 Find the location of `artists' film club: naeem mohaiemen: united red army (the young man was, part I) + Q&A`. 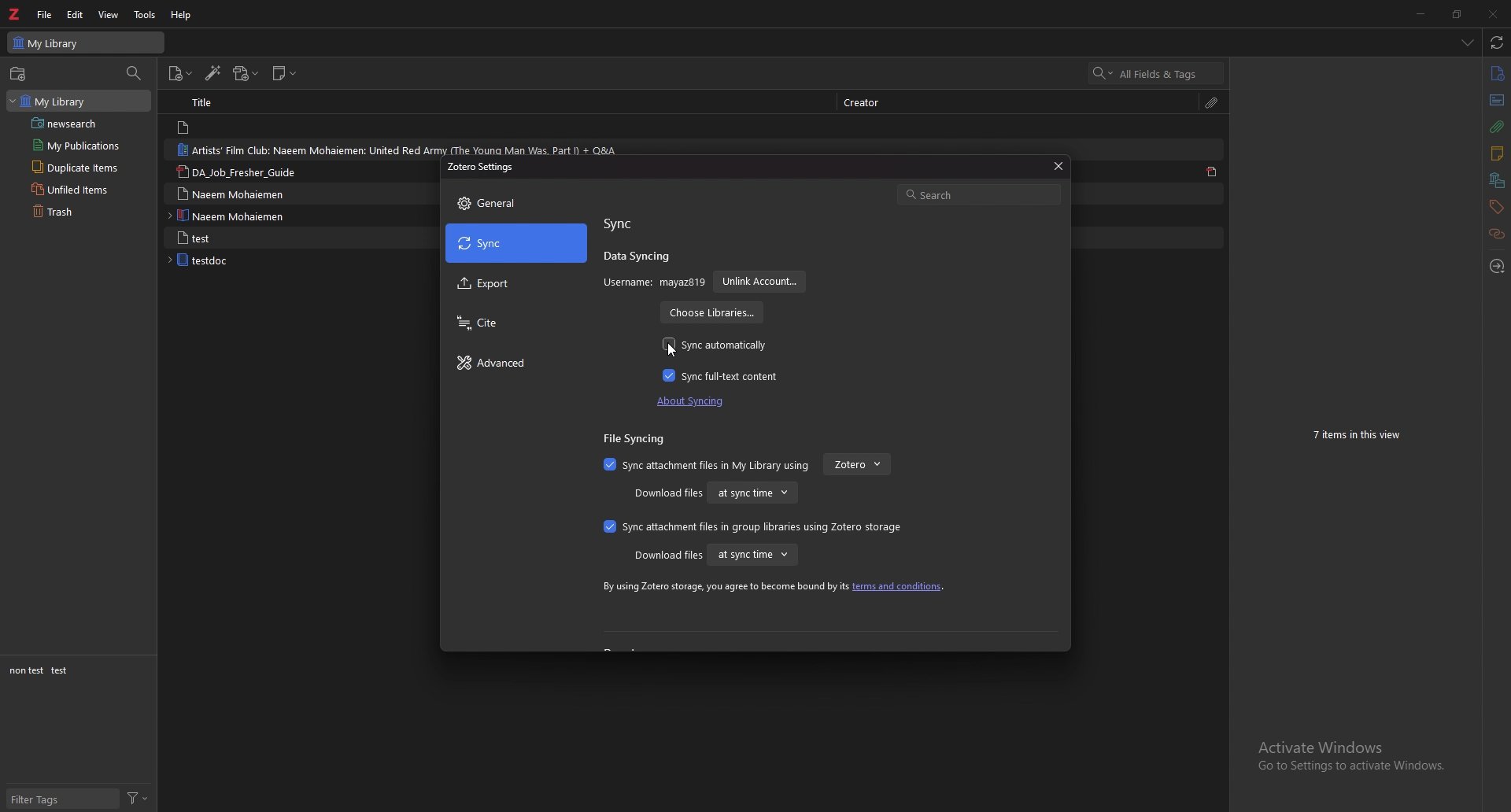

artists' film club: naeem mohaiemen: united red army (the young man was, part I) + Q&A is located at coordinates (398, 149).